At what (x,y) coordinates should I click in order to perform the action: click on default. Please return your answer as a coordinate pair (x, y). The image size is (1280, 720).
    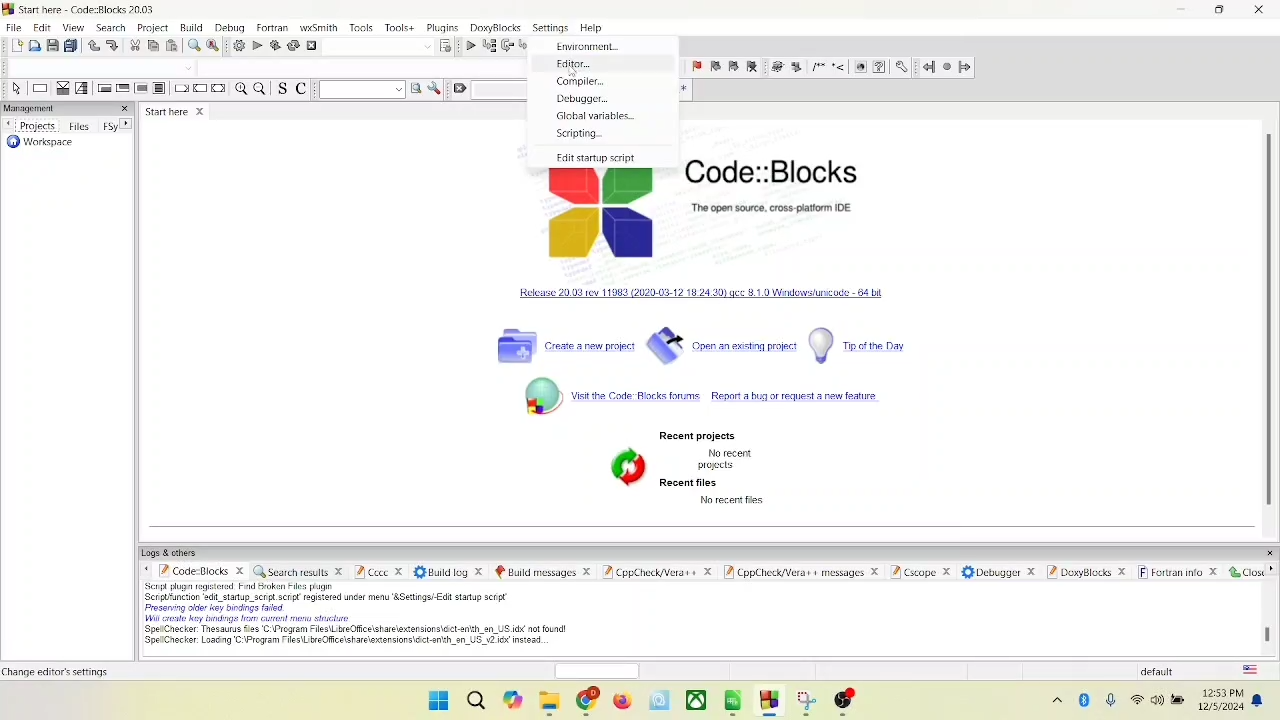
    Looking at the image, I should click on (1169, 670).